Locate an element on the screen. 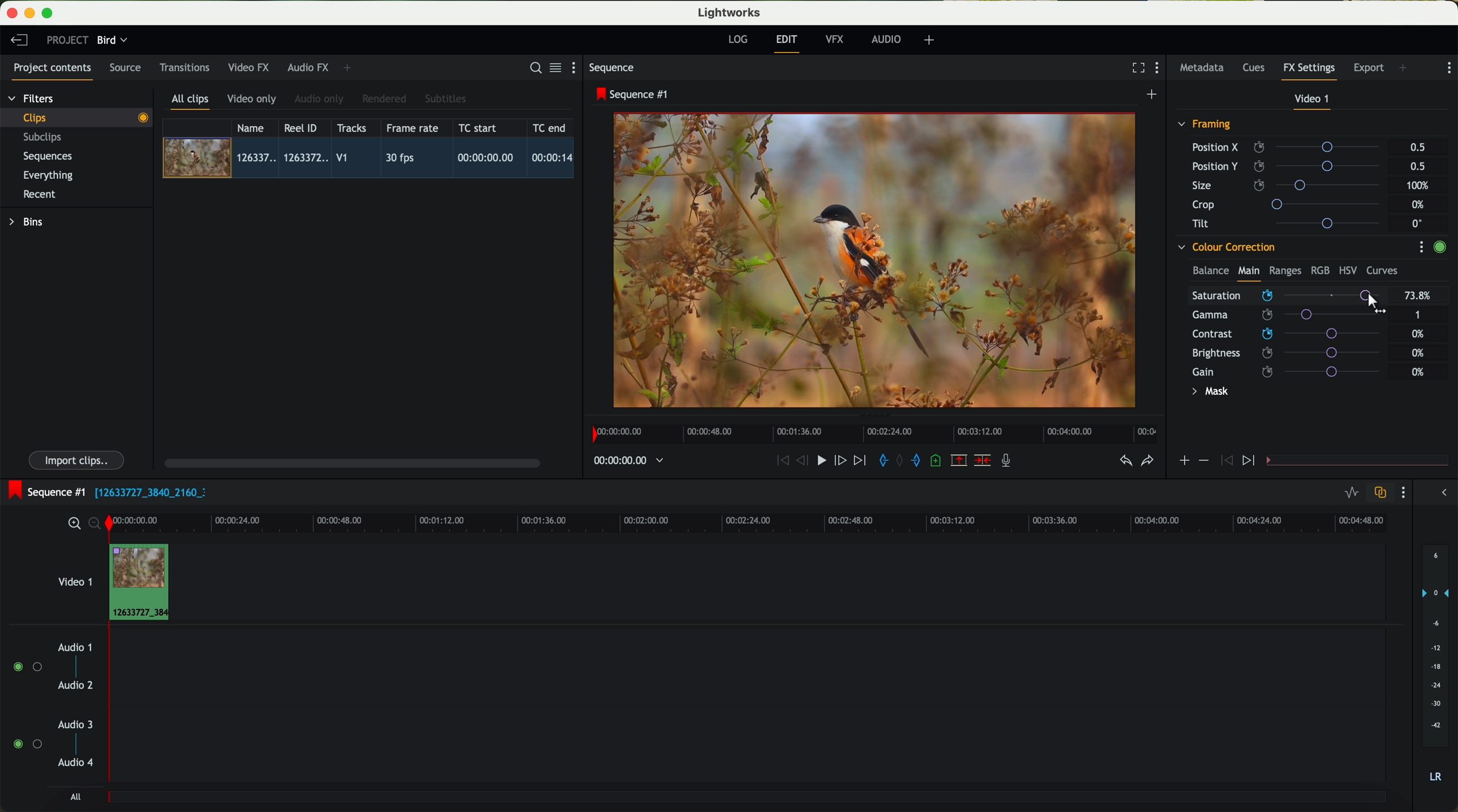 The image size is (1458, 812). Reel ID is located at coordinates (303, 127).